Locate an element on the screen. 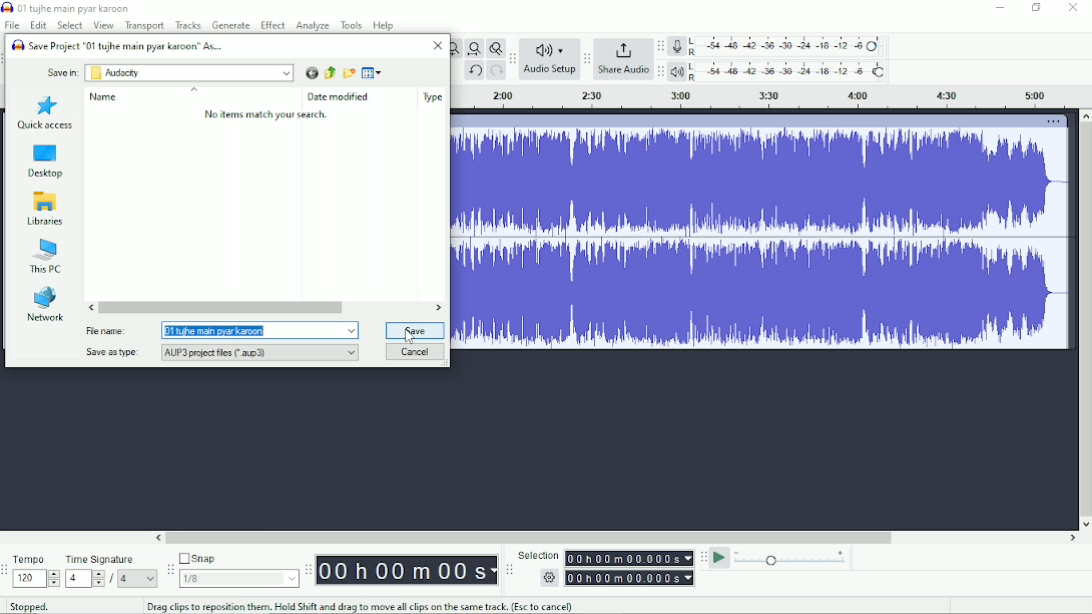  Audacity snapping toolbar is located at coordinates (170, 570).